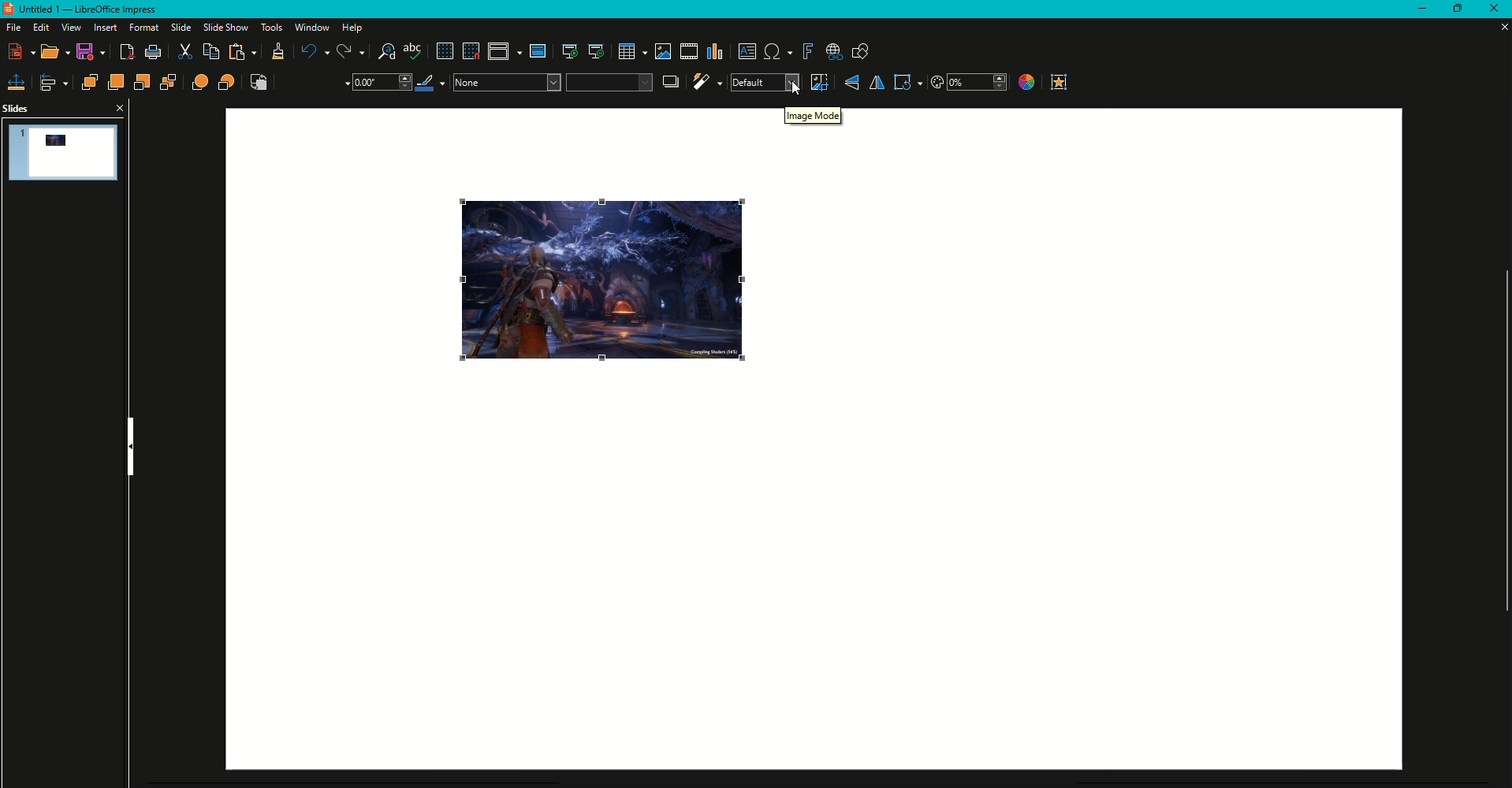 This screenshot has height=788, width=1512. Describe the element at coordinates (764, 83) in the screenshot. I see `Image Mode` at that location.